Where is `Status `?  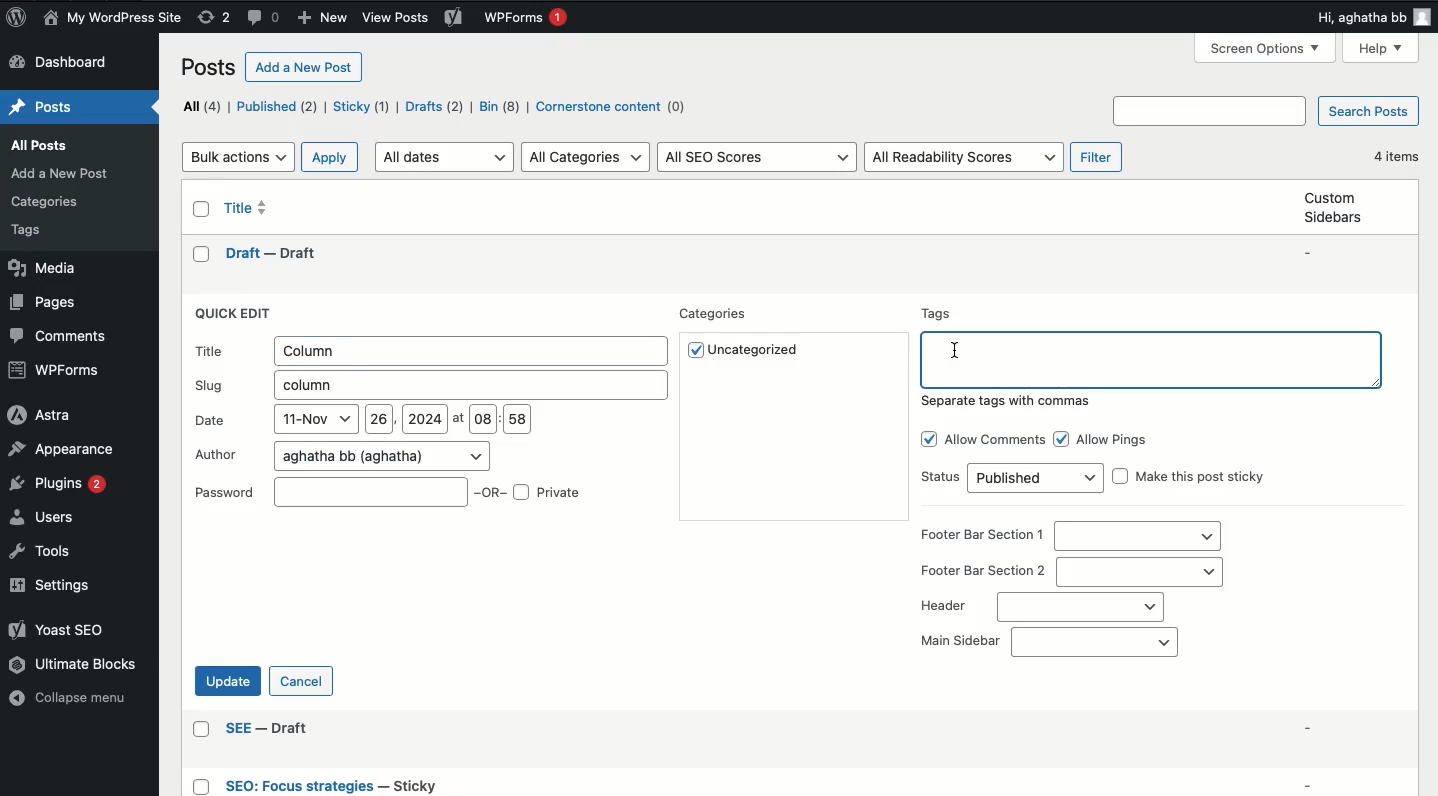
Status  is located at coordinates (1012, 480).